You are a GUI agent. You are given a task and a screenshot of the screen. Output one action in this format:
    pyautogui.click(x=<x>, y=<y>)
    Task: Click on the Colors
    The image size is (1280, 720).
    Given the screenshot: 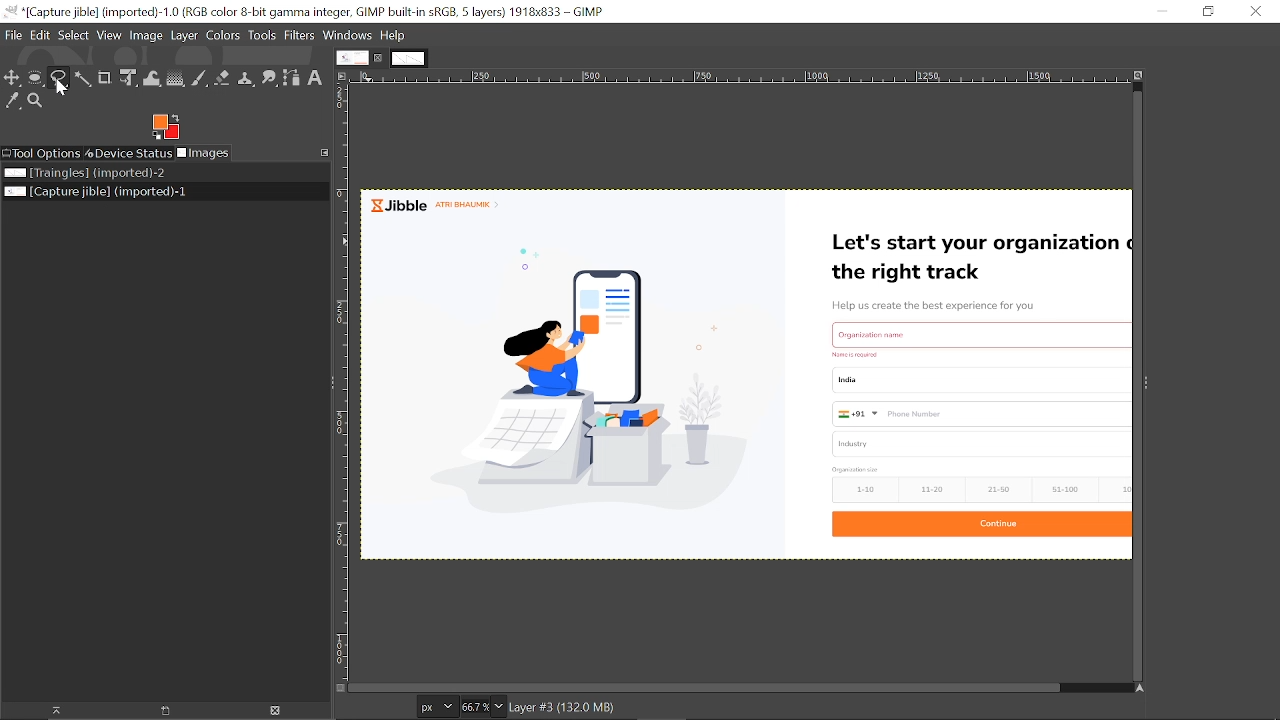 What is the action you would take?
    pyautogui.click(x=223, y=38)
    